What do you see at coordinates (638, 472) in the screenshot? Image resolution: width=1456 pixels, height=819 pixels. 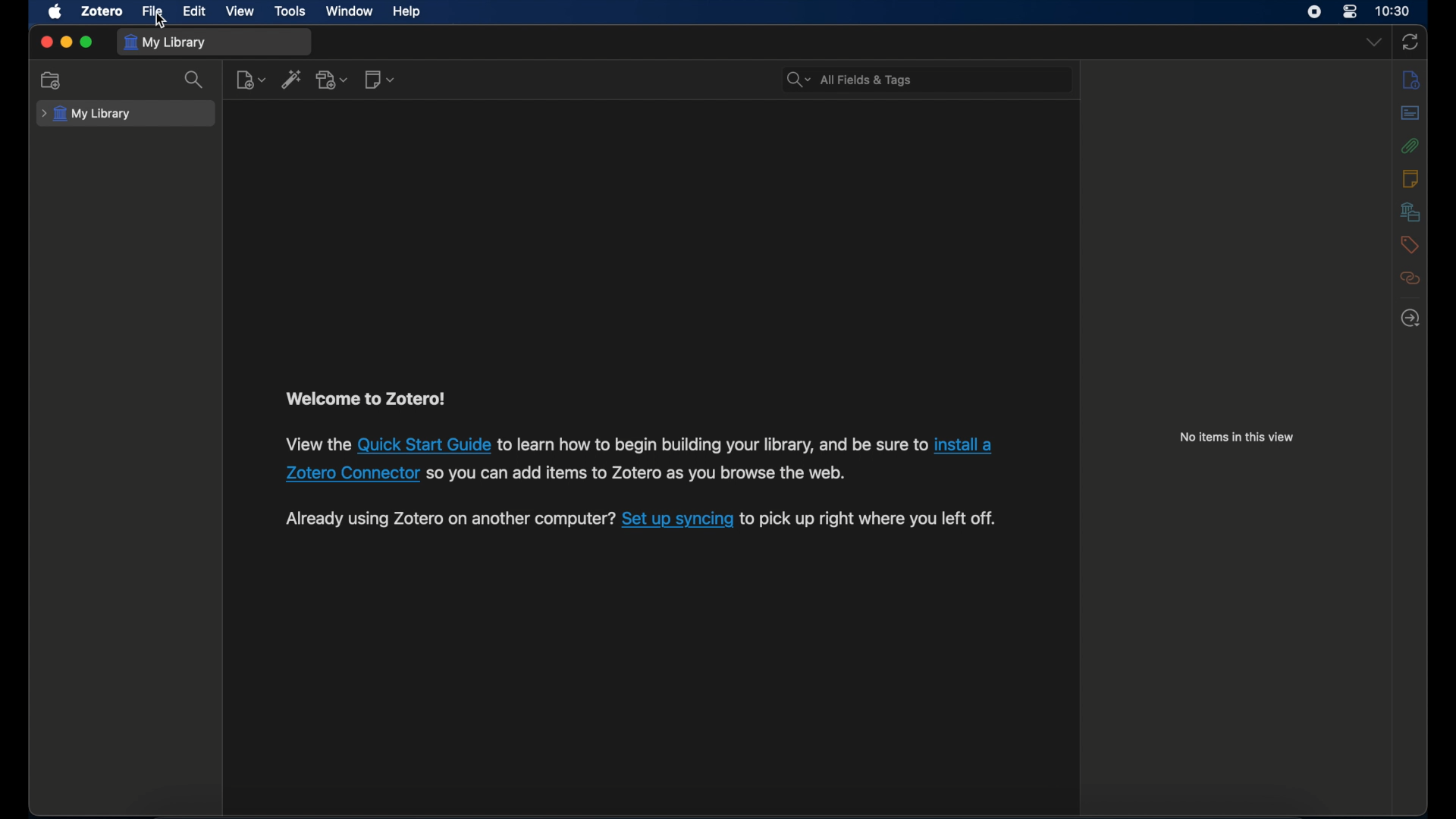 I see `` at bounding box center [638, 472].